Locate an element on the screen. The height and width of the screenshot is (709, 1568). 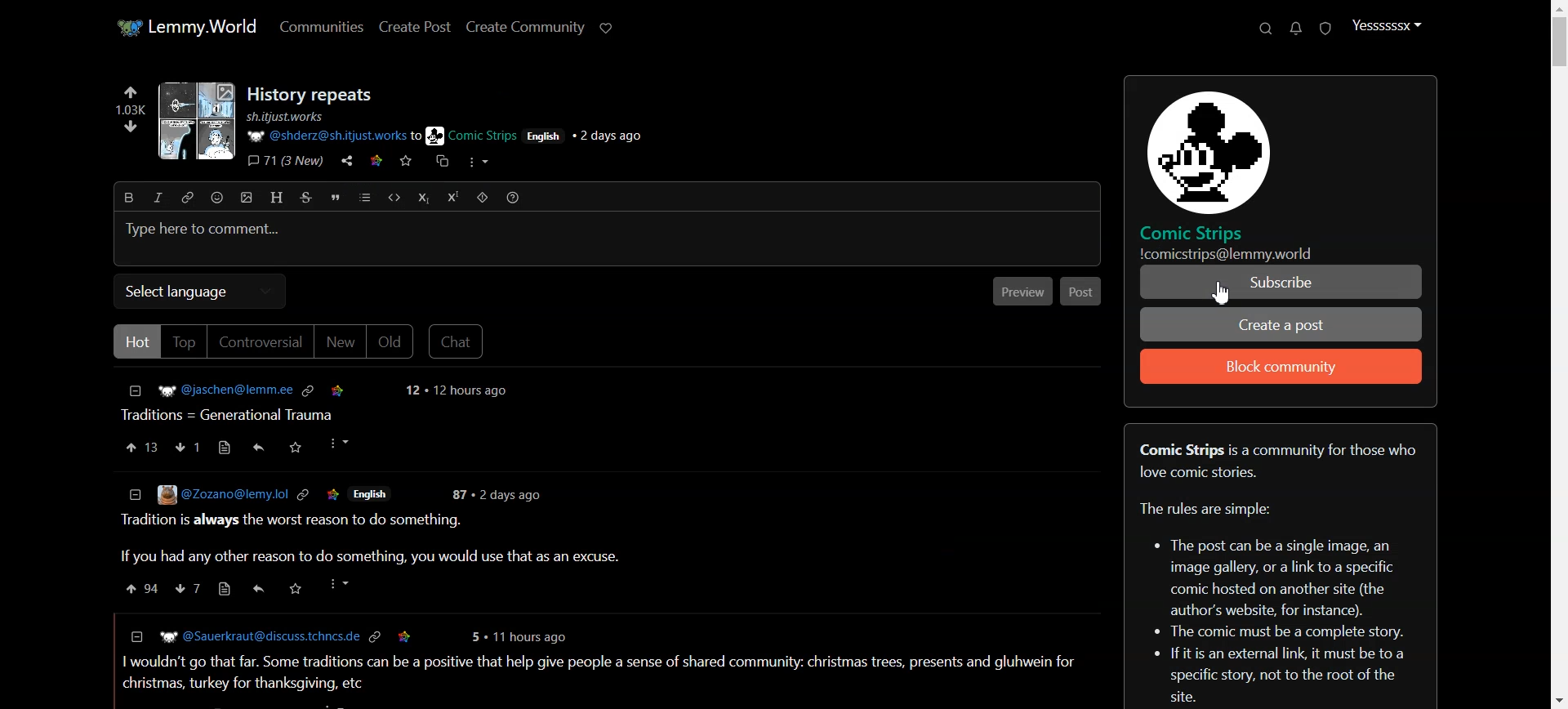
Create Community is located at coordinates (526, 28).